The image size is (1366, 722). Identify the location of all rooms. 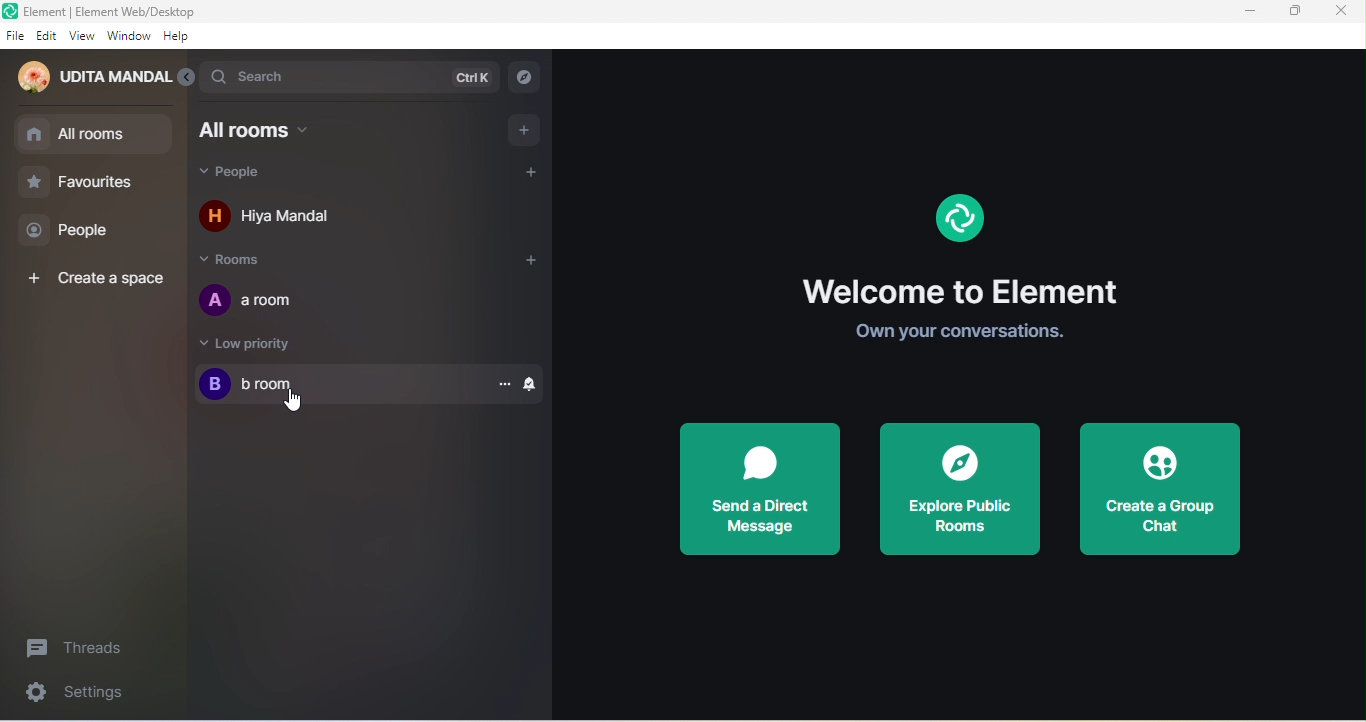
(266, 130).